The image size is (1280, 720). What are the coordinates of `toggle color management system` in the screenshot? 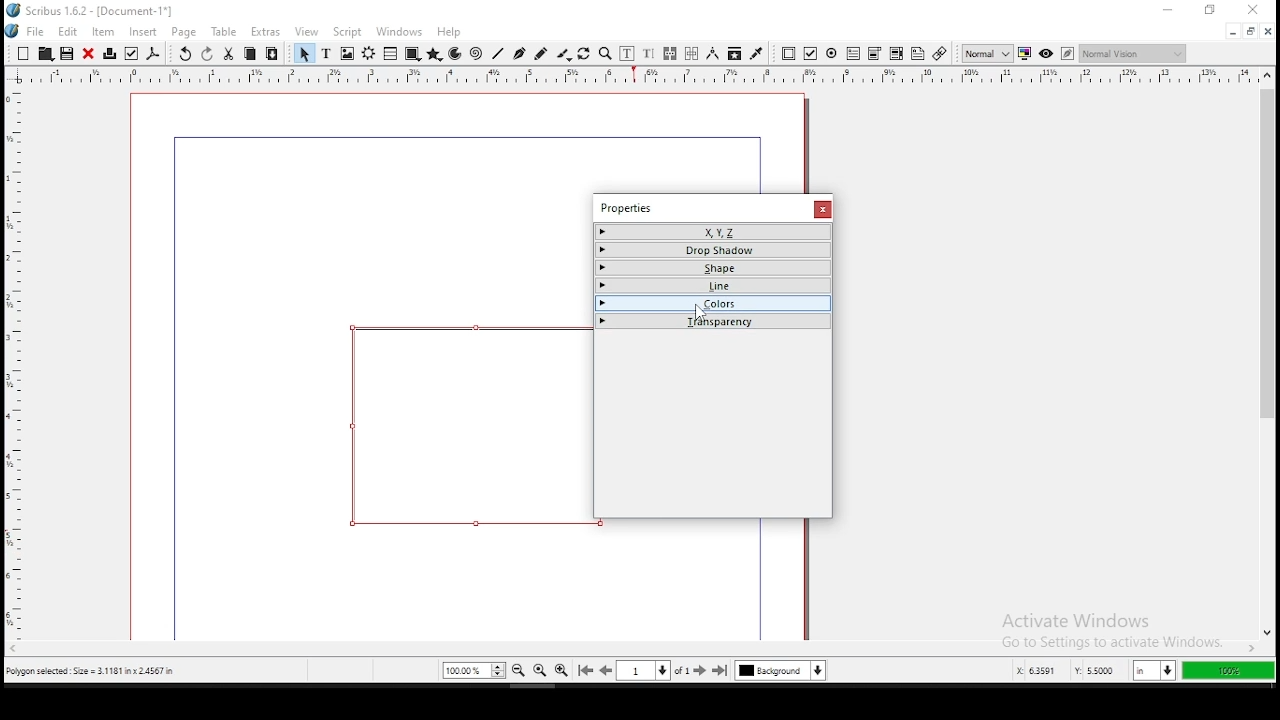 It's located at (1024, 54).